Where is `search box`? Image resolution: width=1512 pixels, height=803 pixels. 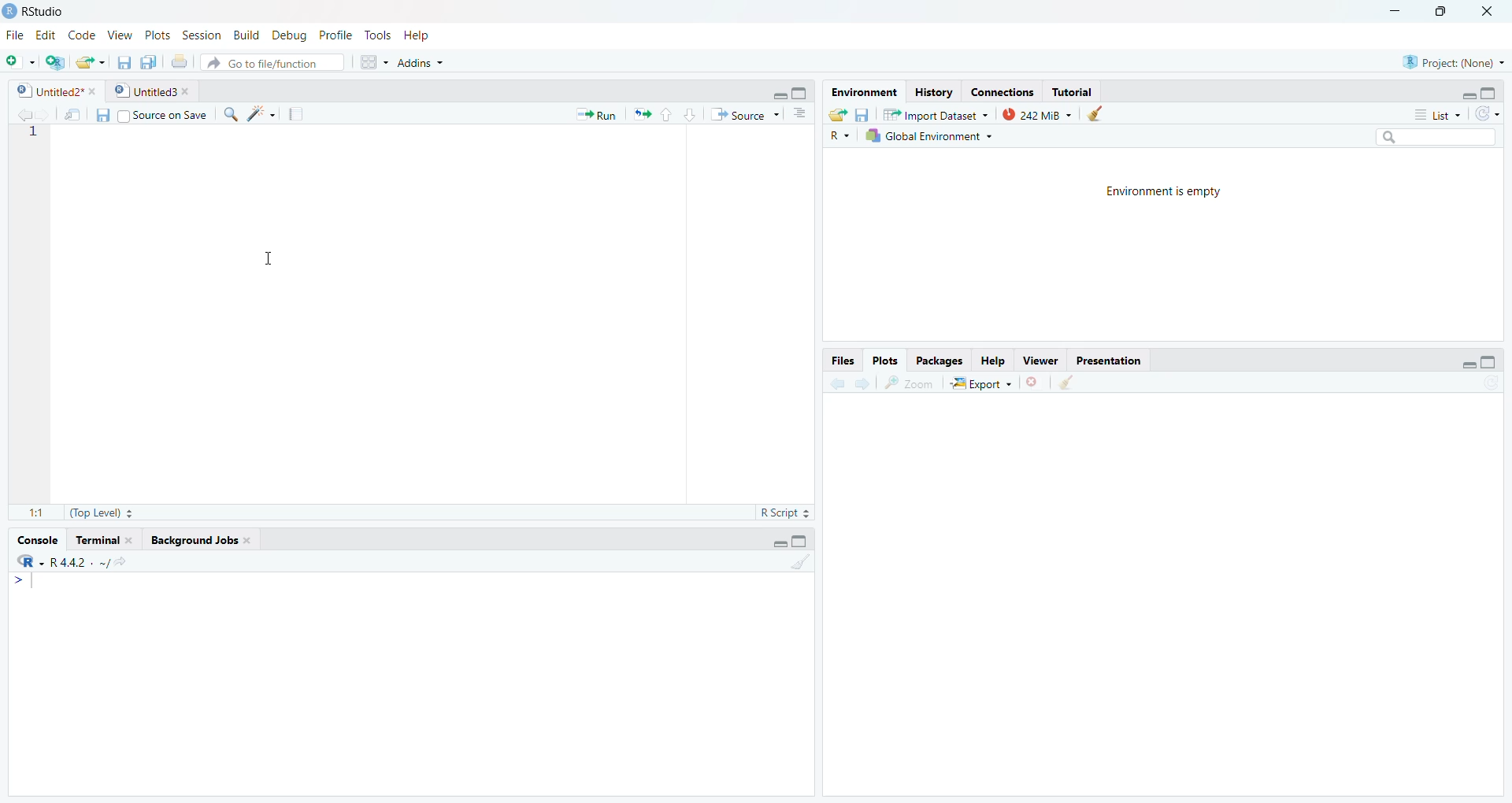 search box is located at coordinates (1434, 136).